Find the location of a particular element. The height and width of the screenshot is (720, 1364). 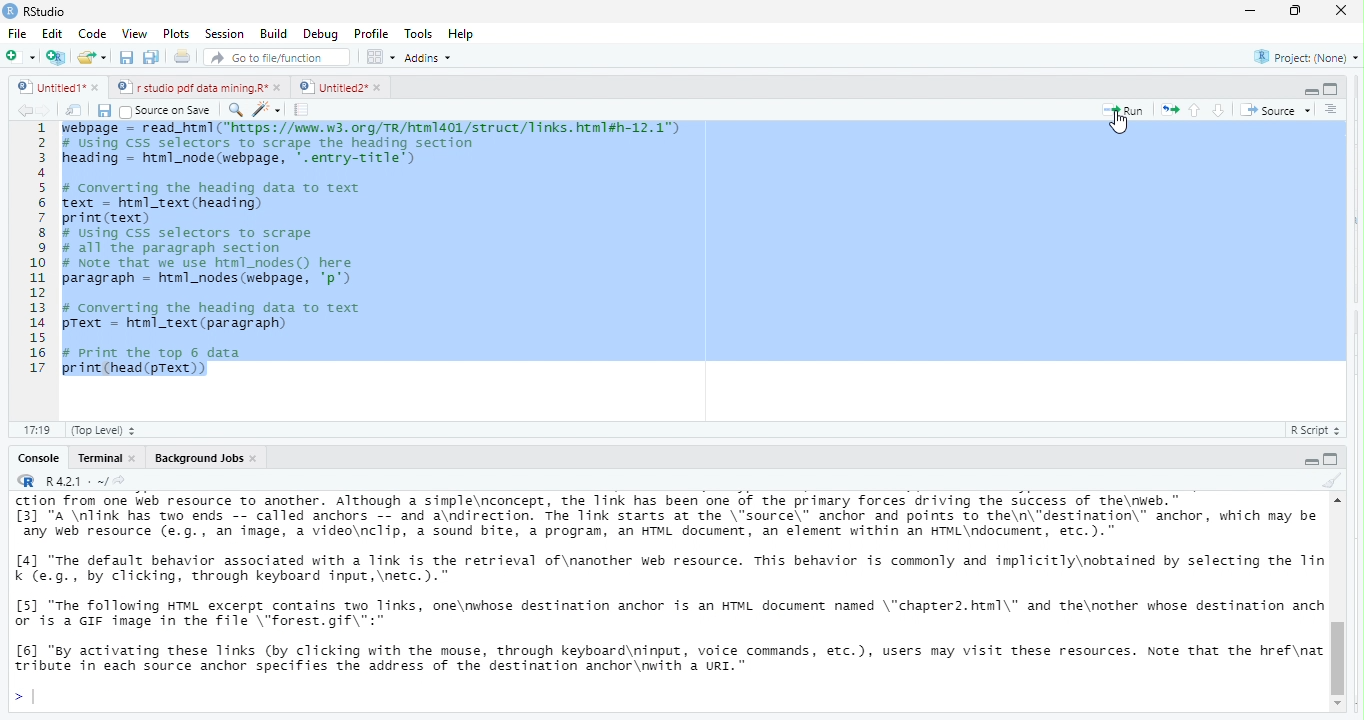

Help is located at coordinates (462, 34).